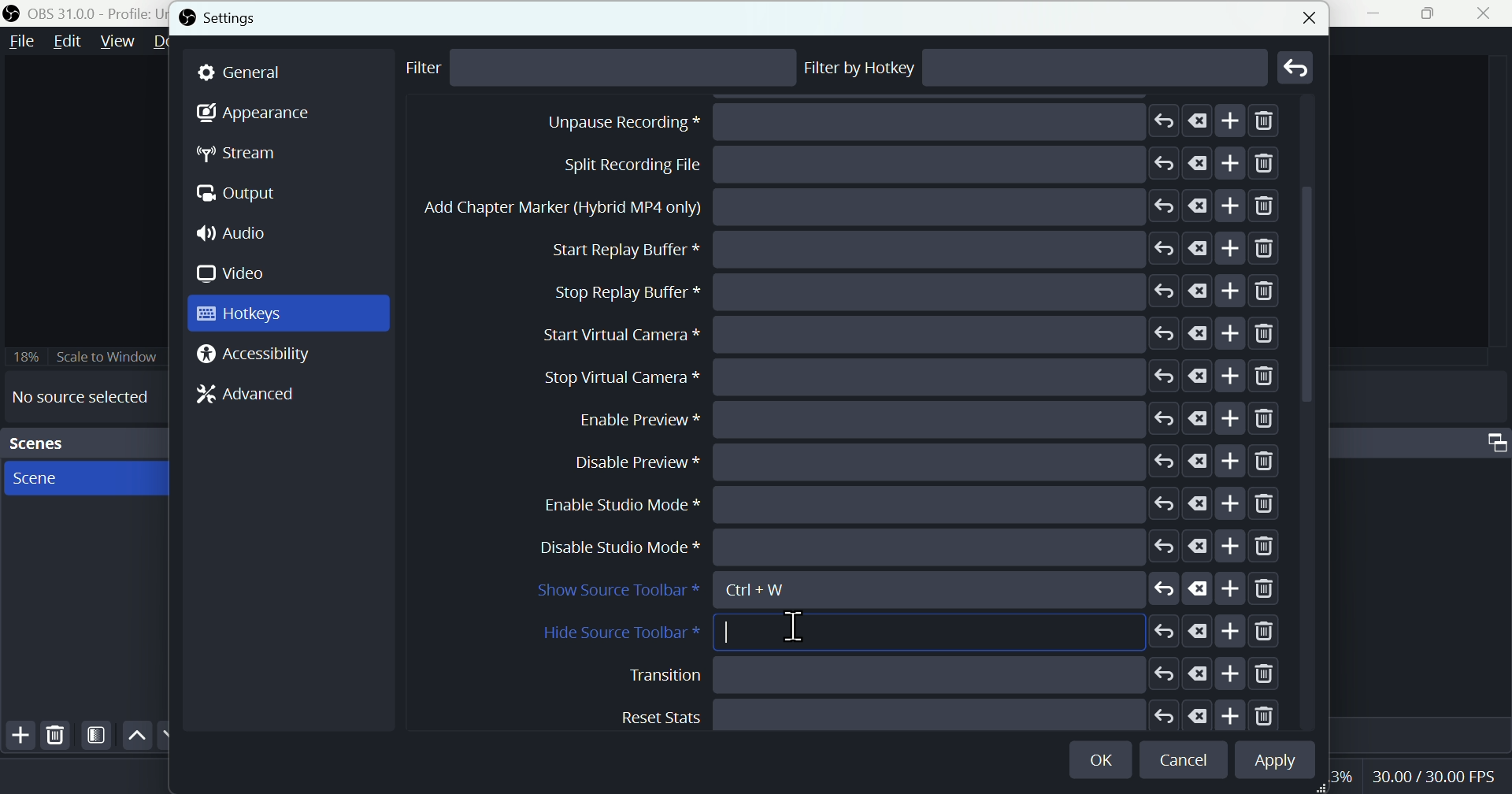 The height and width of the screenshot is (794, 1512). What do you see at coordinates (913, 332) in the screenshot?
I see `Split recording file` at bounding box center [913, 332].